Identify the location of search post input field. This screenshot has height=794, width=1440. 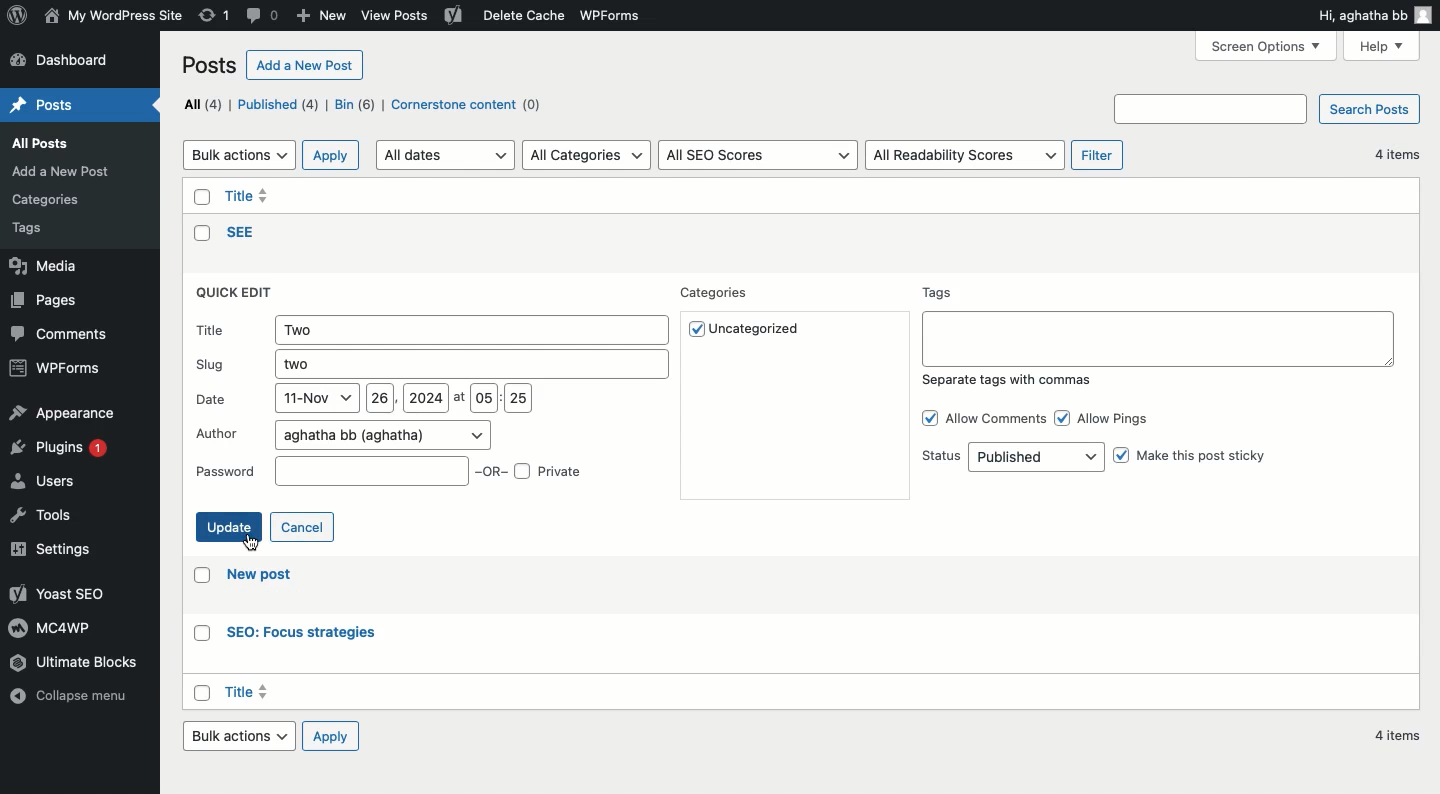
(1211, 108).